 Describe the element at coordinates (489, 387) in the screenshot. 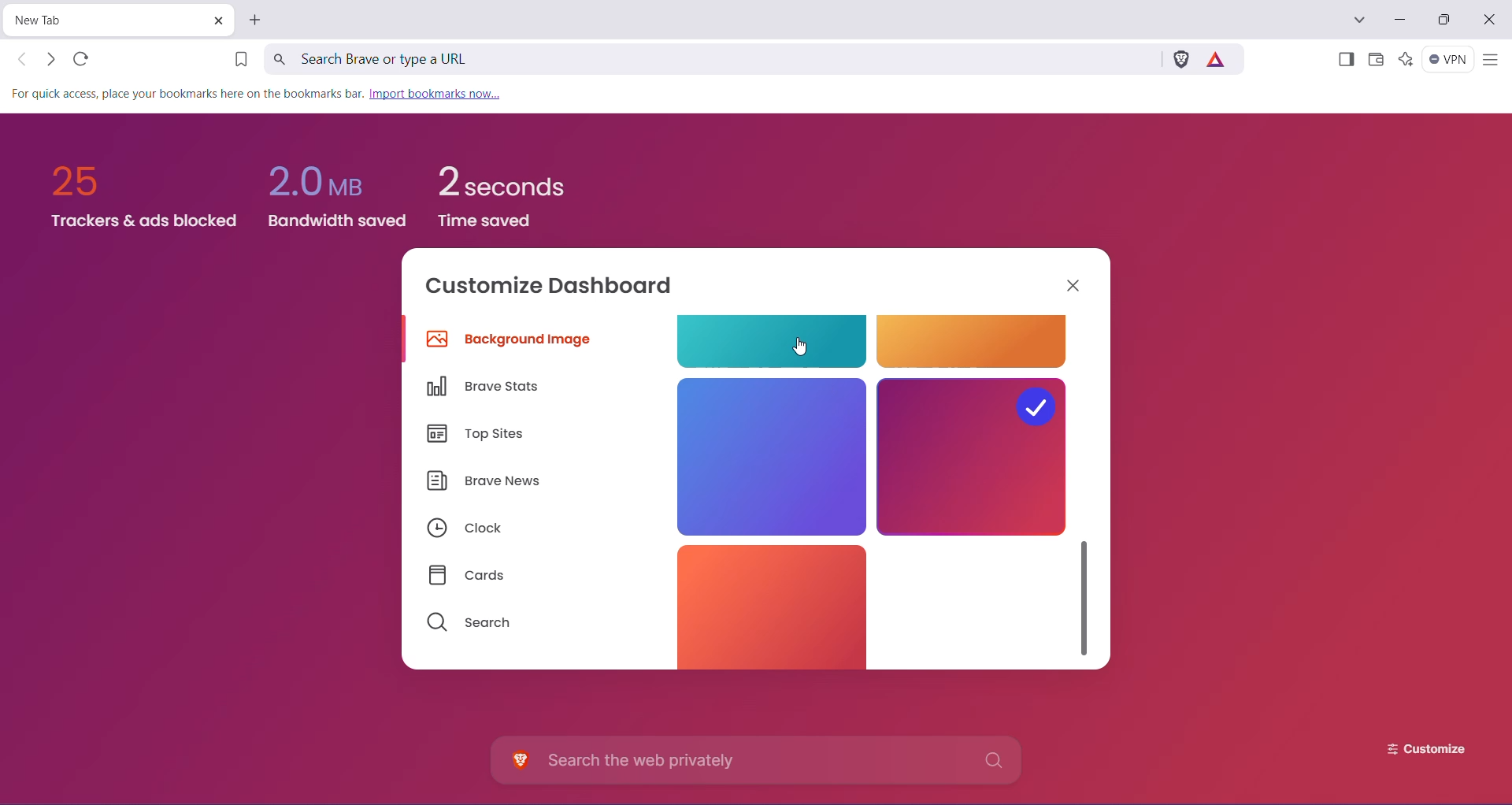

I see `Brave Stats` at that location.